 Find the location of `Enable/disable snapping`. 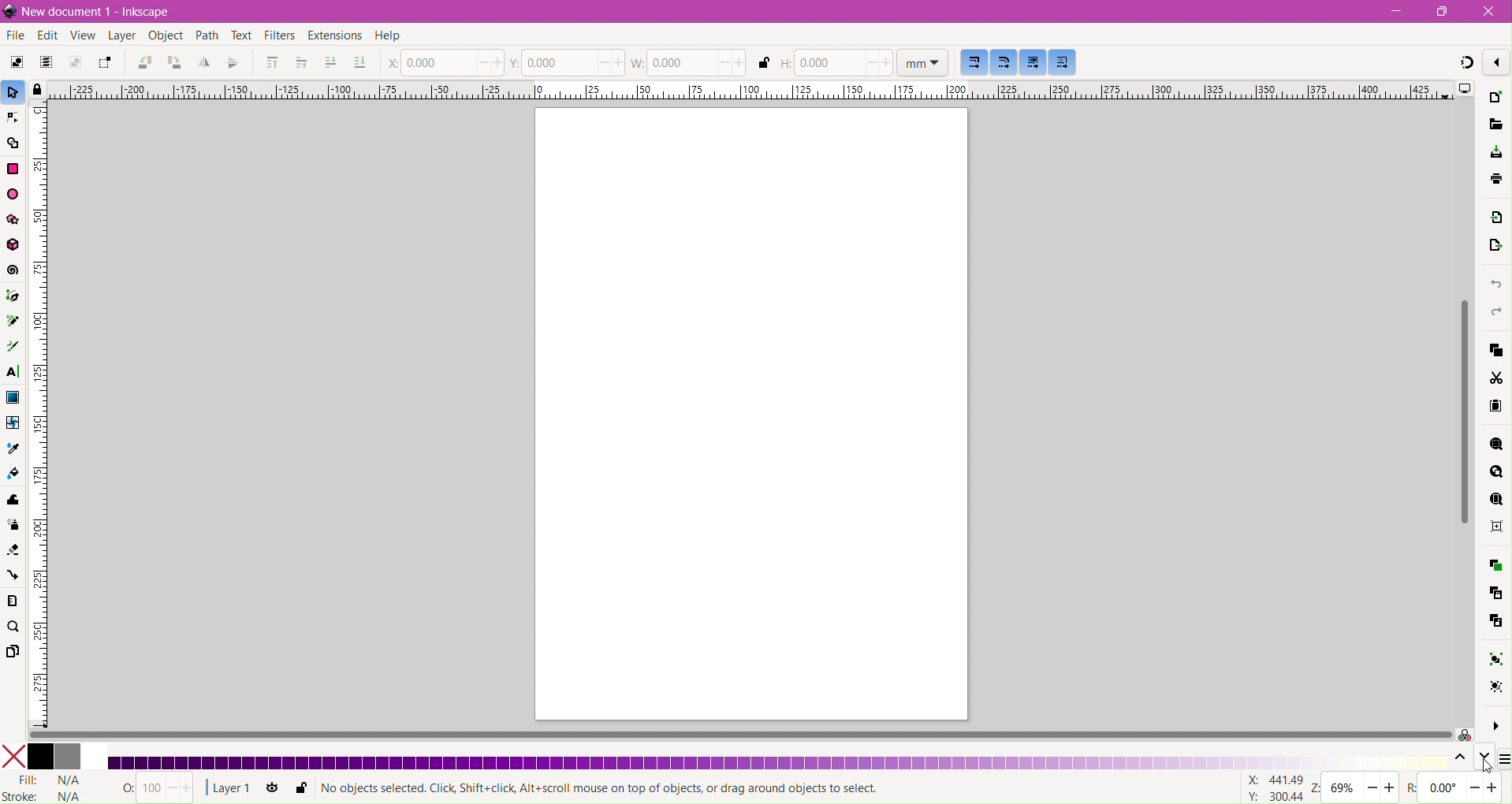

Enable/disable snapping is located at coordinates (1497, 61).